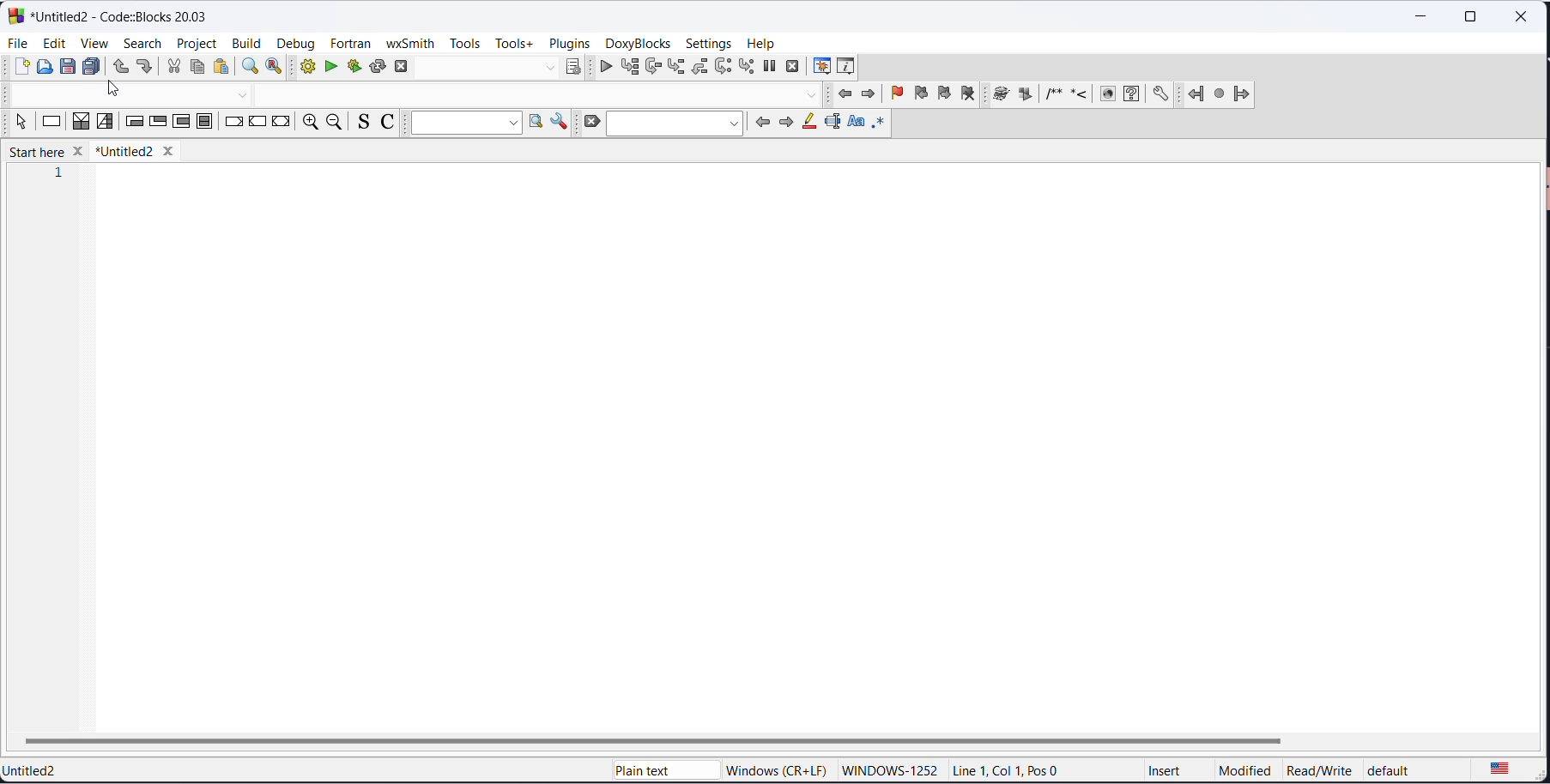  Describe the element at coordinates (560, 125) in the screenshot. I see `option window` at that location.